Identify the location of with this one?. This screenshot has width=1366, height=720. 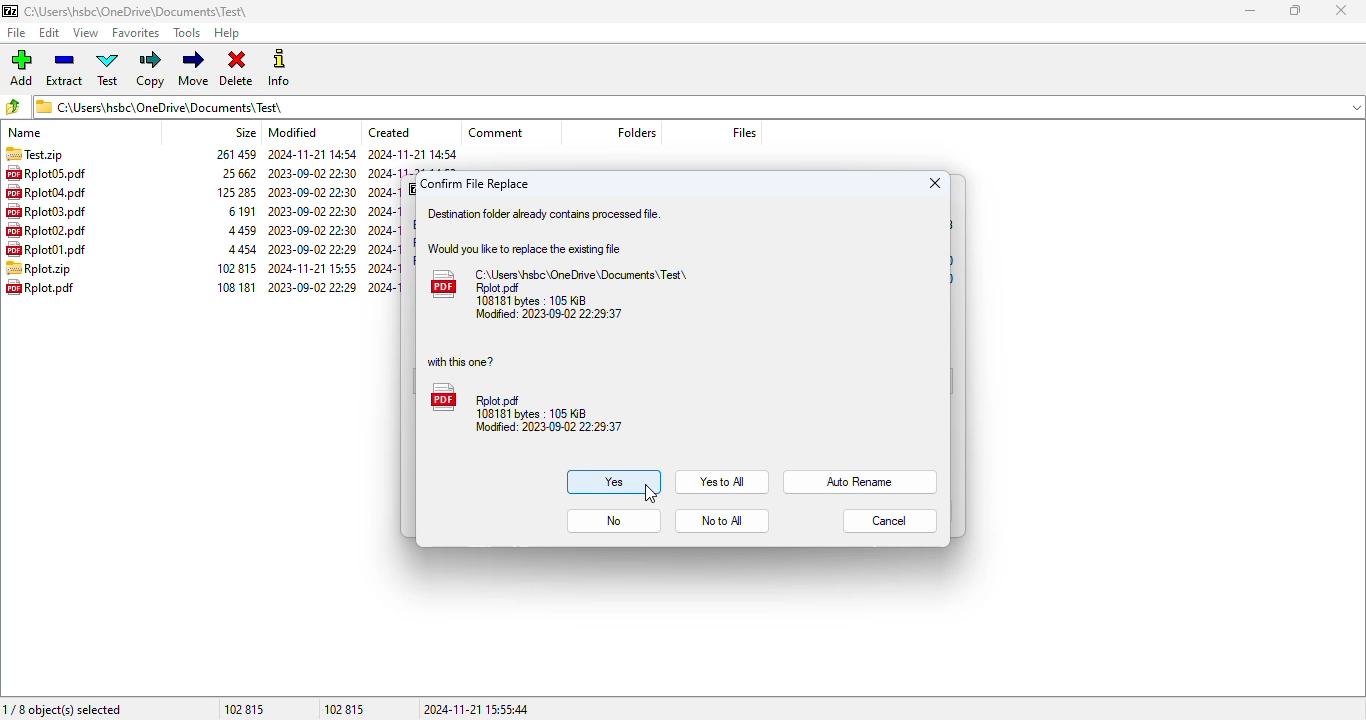
(459, 361).